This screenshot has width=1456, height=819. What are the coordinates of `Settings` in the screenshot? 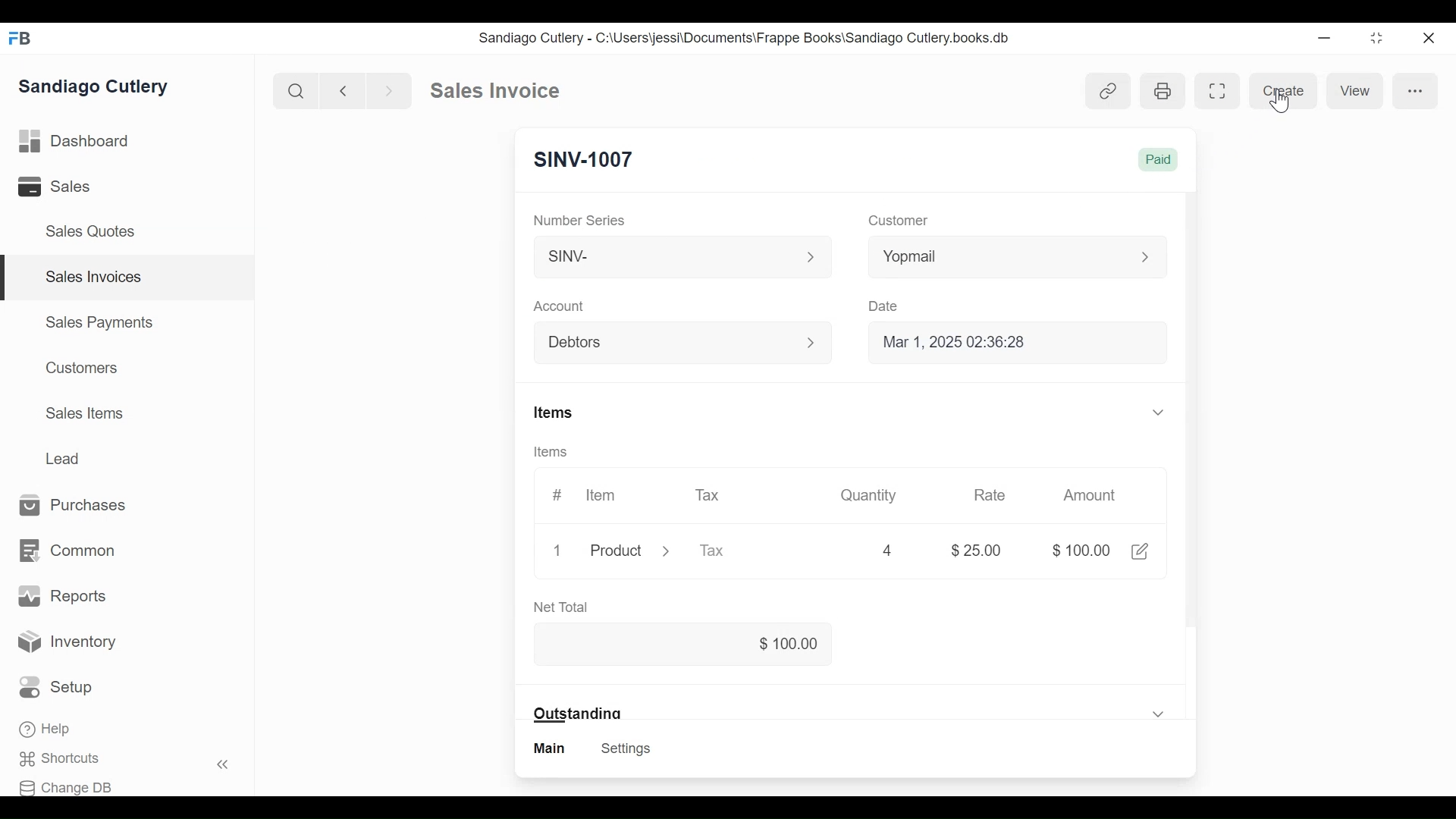 It's located at (628, 748).